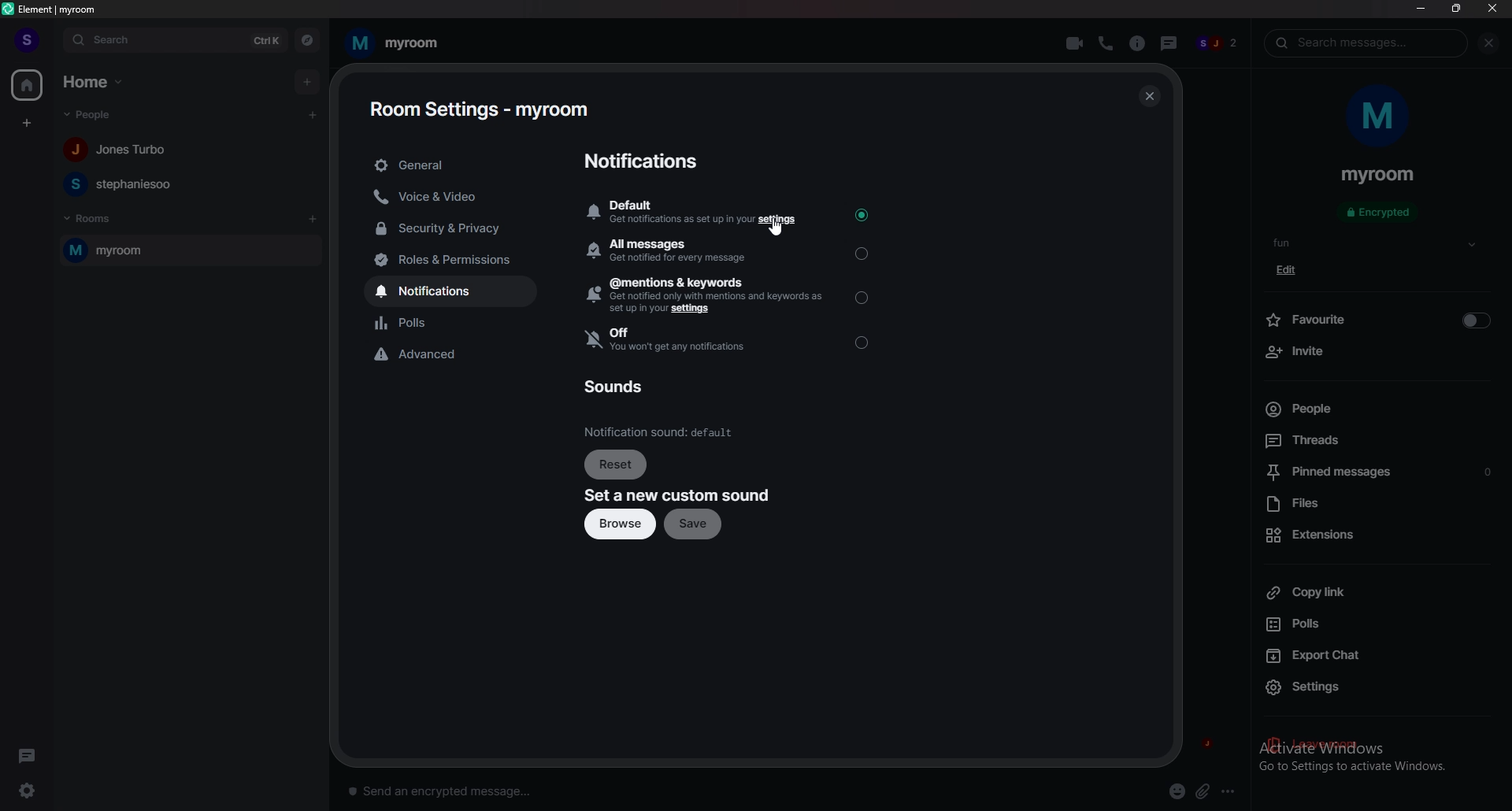 This screenshot has height=811, width=1512. What do you see at coordinates (1377, 505) in the screenshot?
I see `files` at bounding box center [1377, 505].